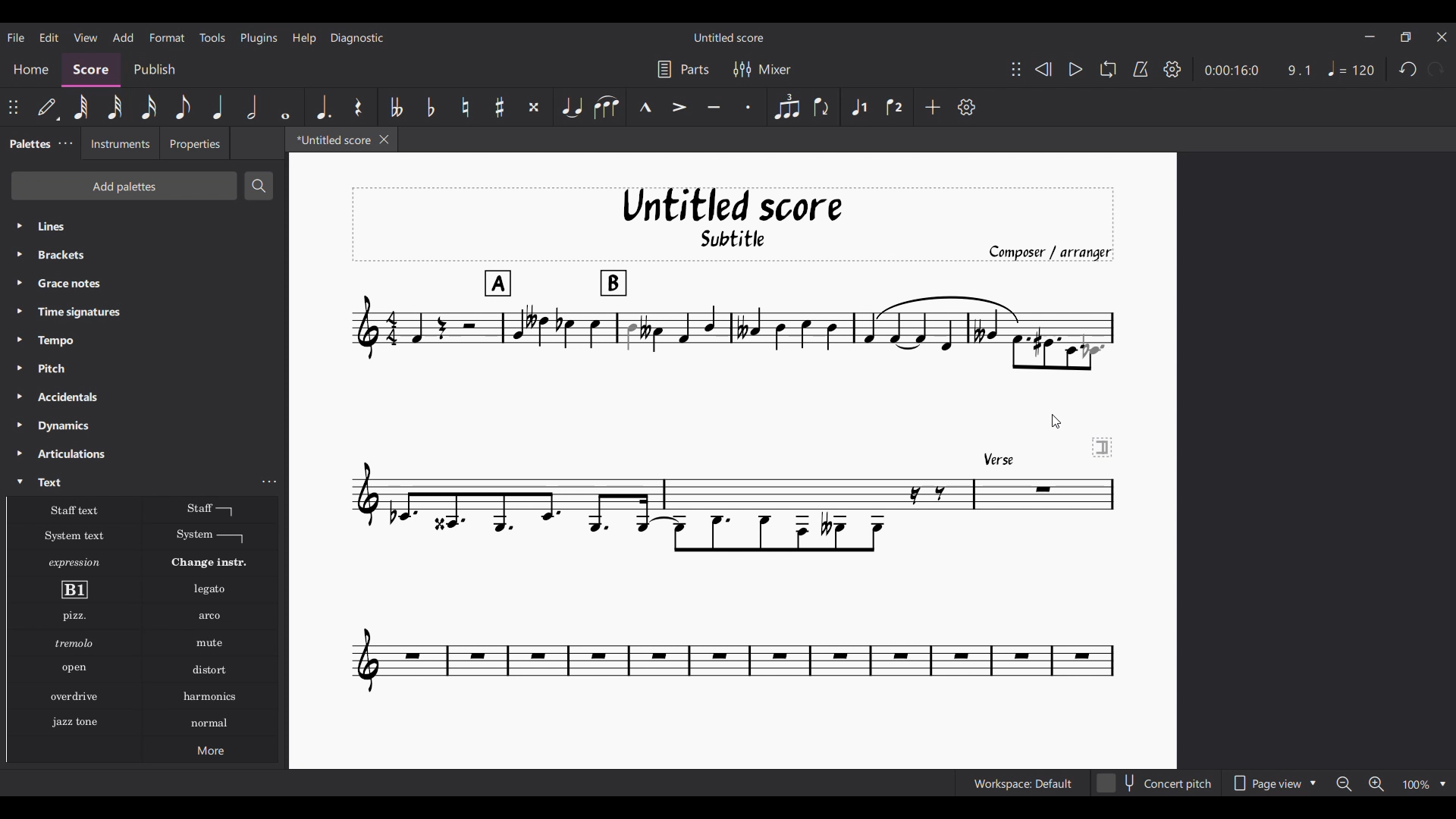 The image size is (1456, 819). What do you see at coordinates (210, 536) in the screenshot?
I see `System text line` at bounding box center [210, 536].